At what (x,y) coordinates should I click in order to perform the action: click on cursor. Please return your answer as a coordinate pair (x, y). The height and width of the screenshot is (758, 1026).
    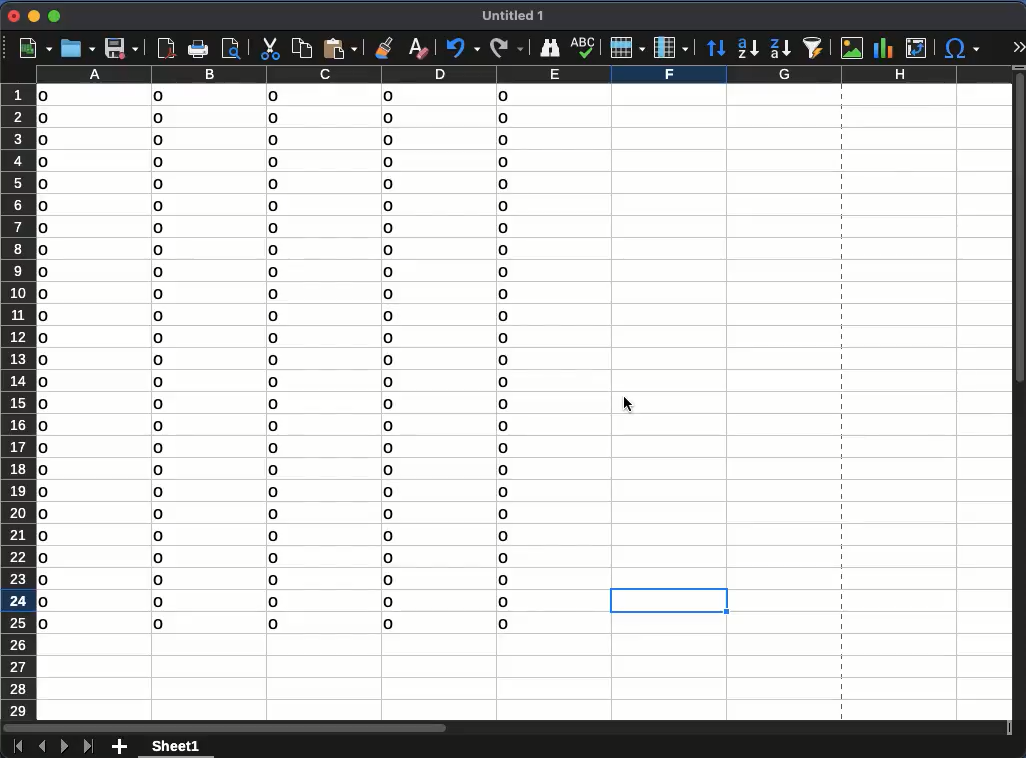
    Looking at the image, I should click on (625, 399).